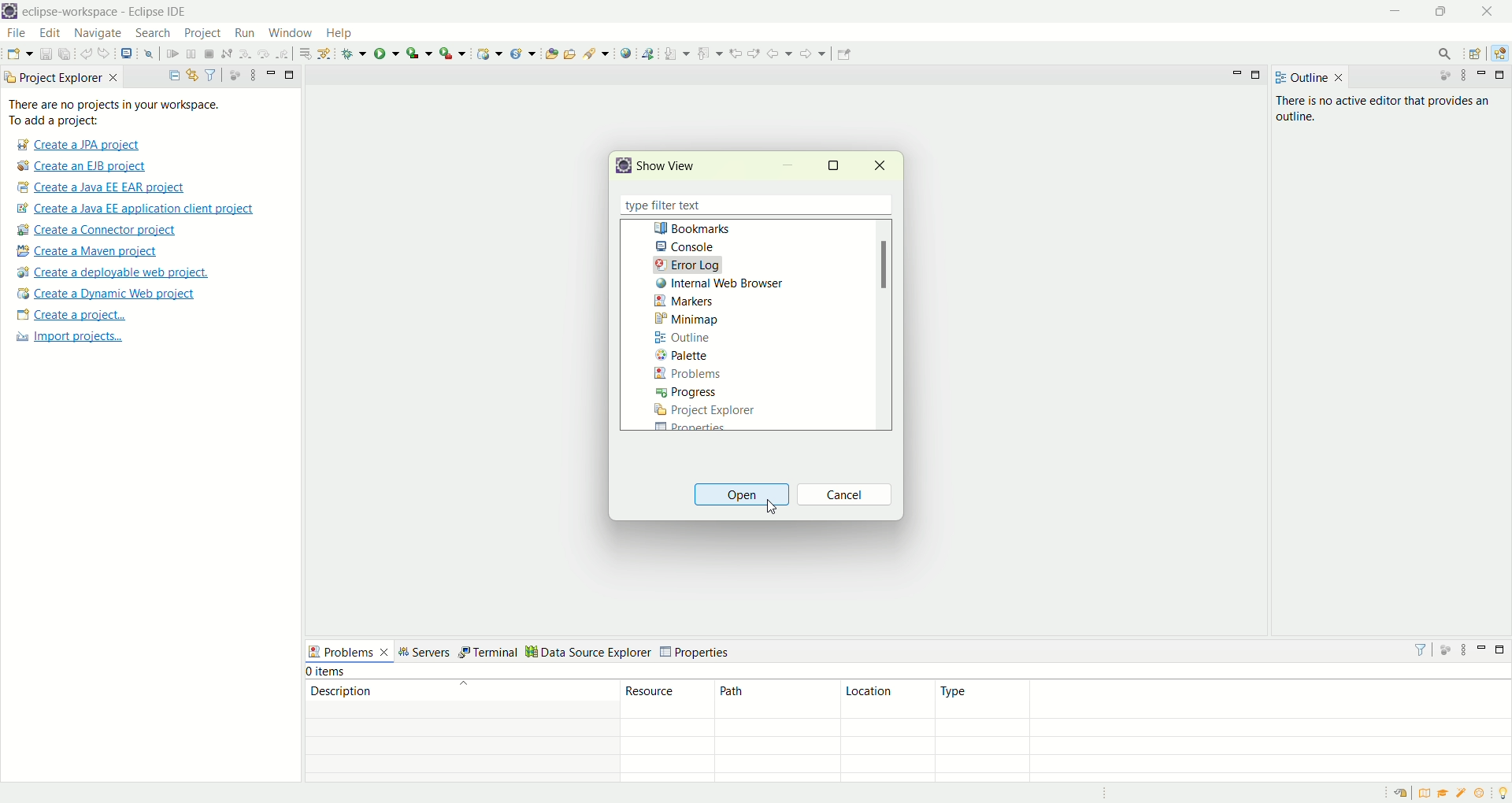 This screenshot has width=1512, height=803. What do you see at coordinates (835, 165) in the screenshot?
I see `maximize` at bounding box center [835, 165].